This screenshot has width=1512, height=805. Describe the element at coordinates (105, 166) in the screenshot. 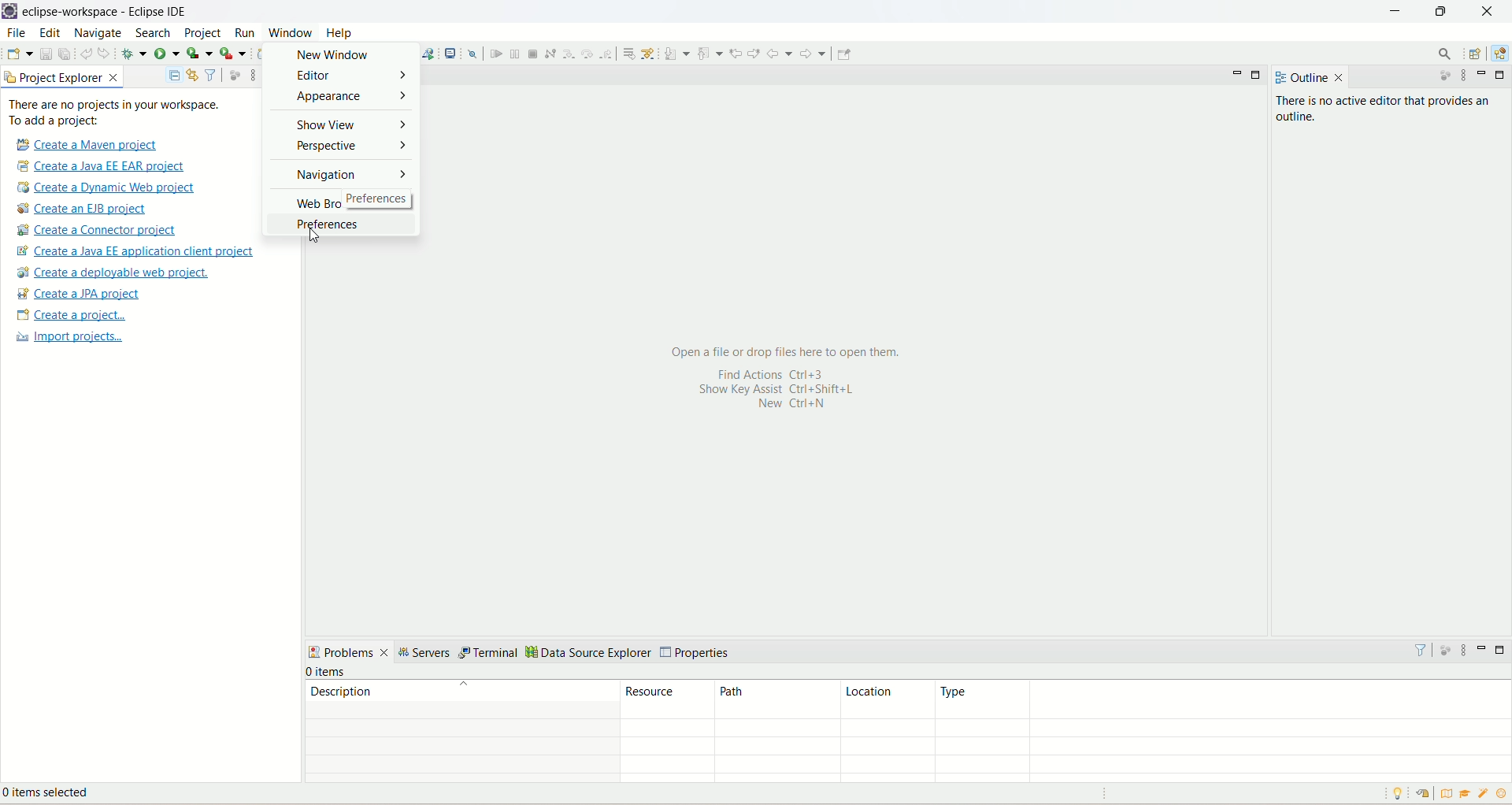

I see `create a Java EE ER project` at that location.